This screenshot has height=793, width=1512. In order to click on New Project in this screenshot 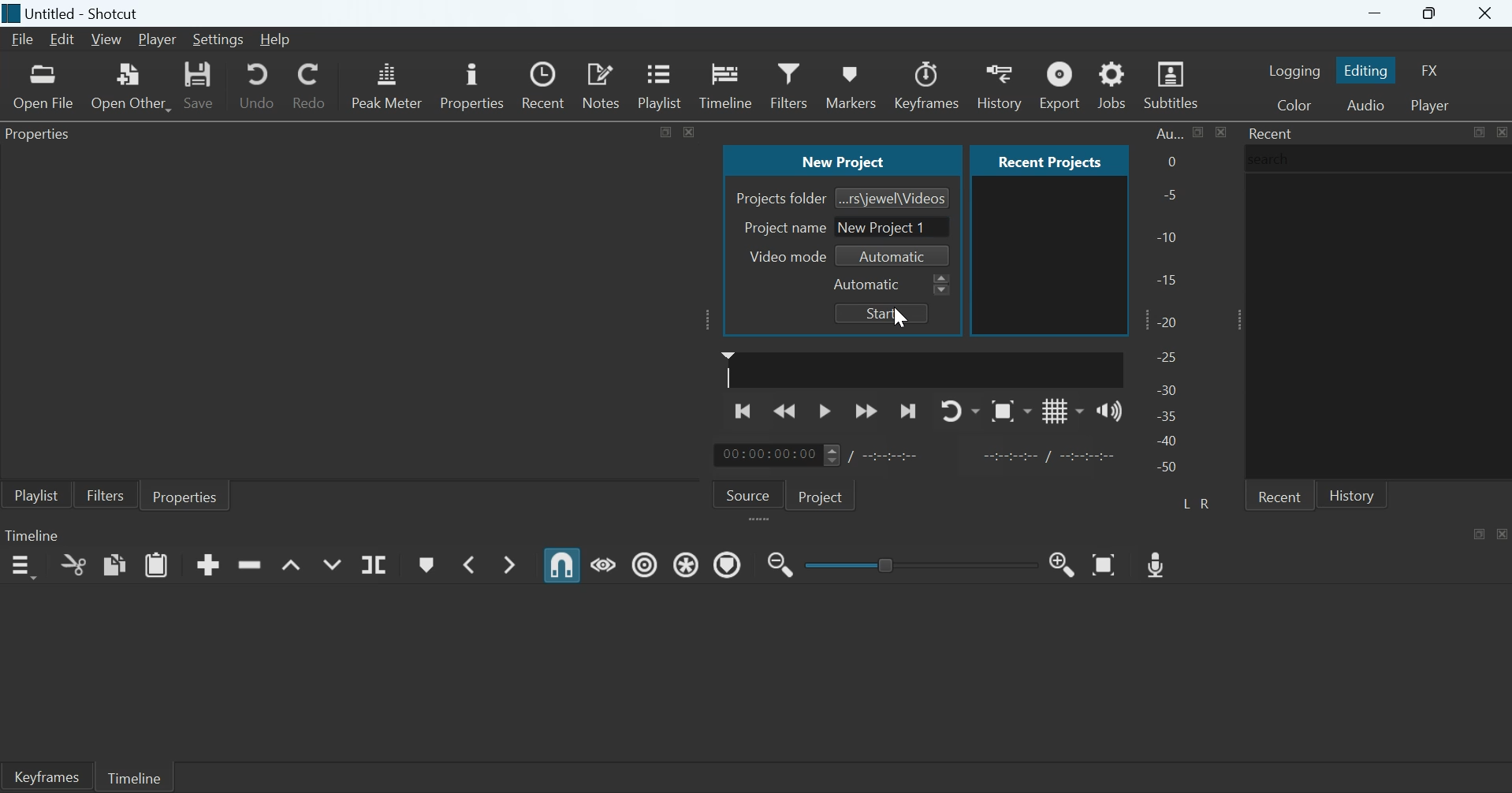, I will do `click(844, 159)`.